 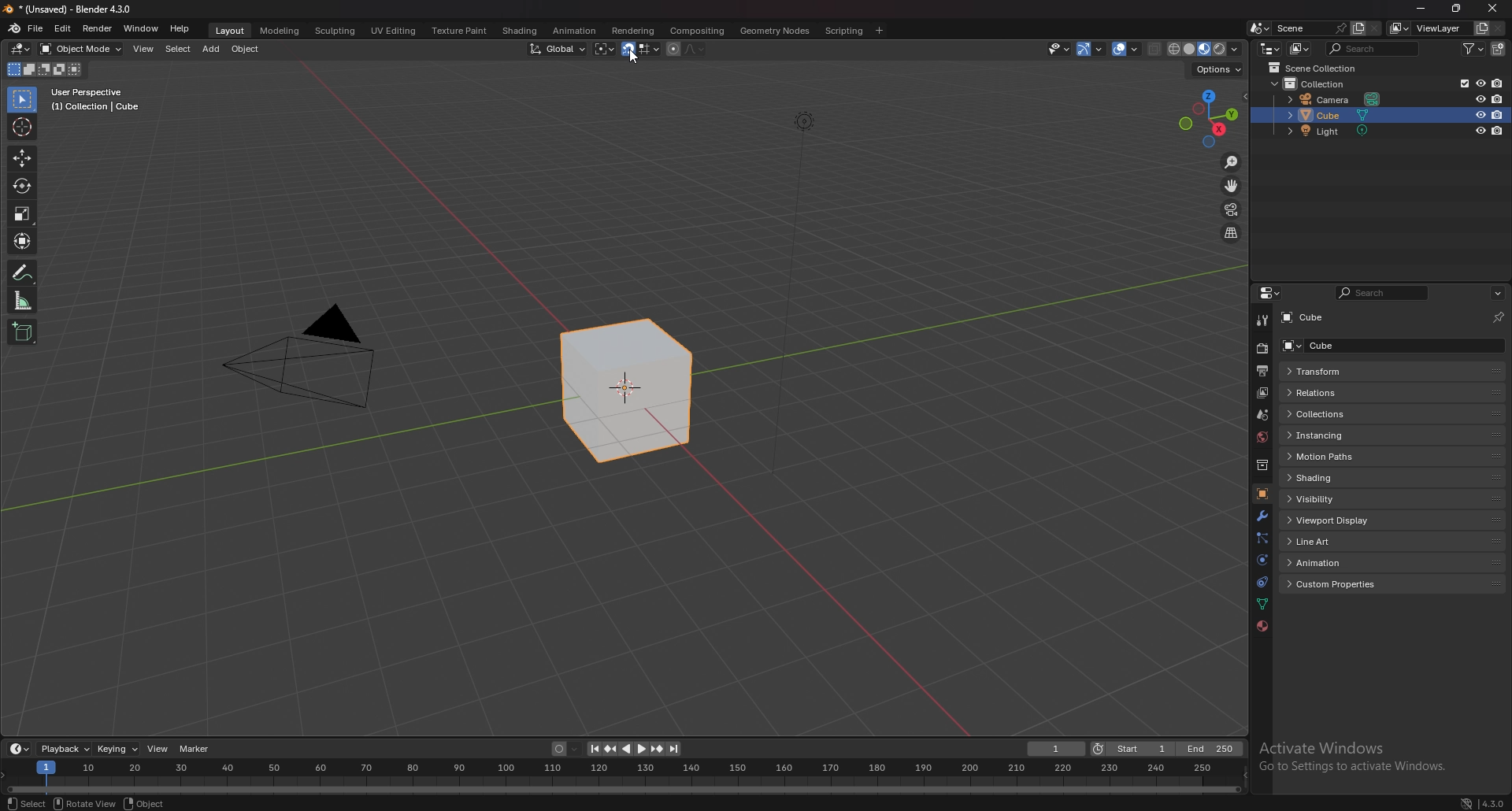 What do you see at coordinates (634, 31) in the screenshot?
I see `rendering` at bounding box center [634, 31].